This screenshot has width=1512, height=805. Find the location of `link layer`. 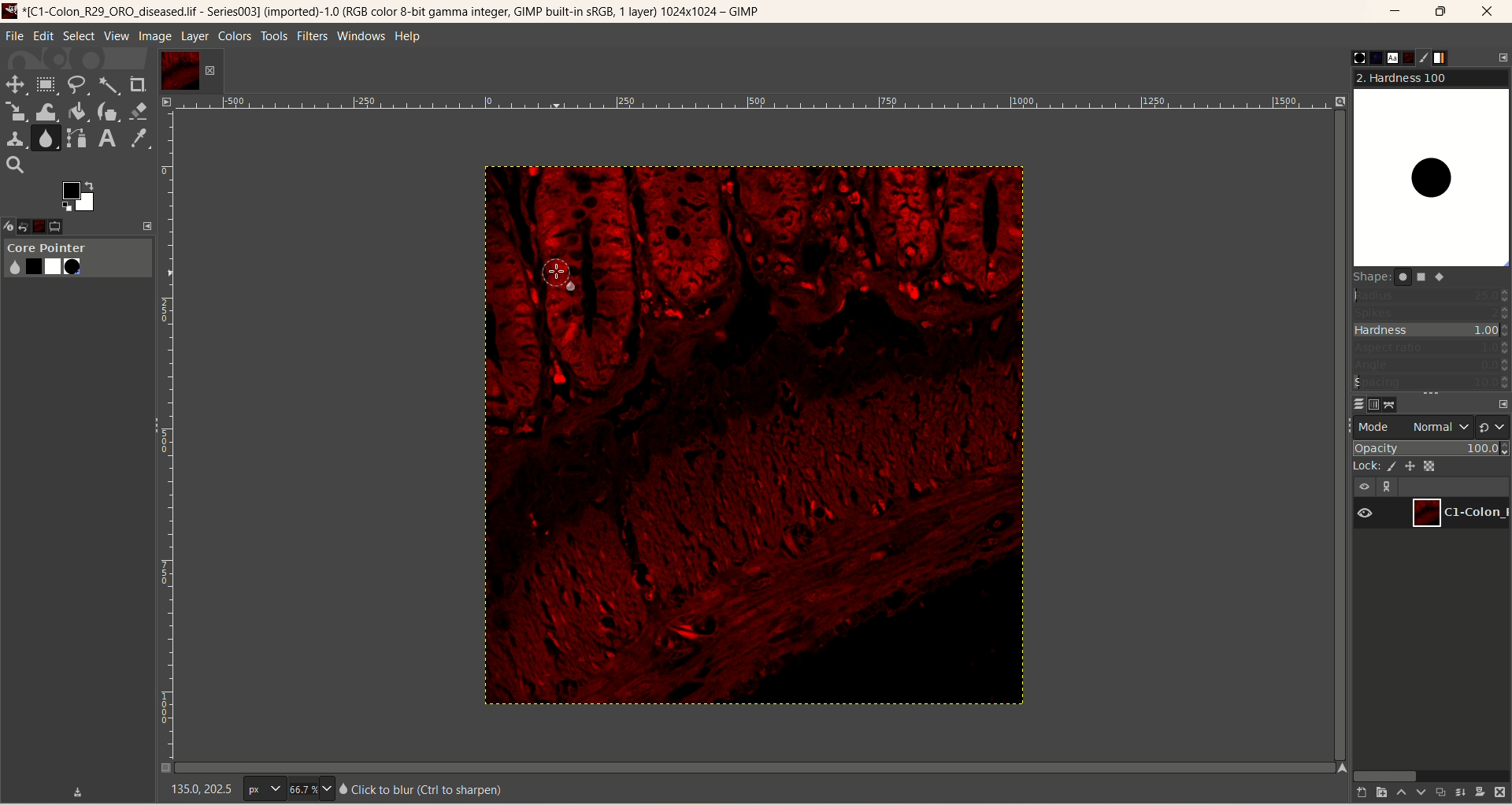

link layer is located at coordinates (1389, 487).